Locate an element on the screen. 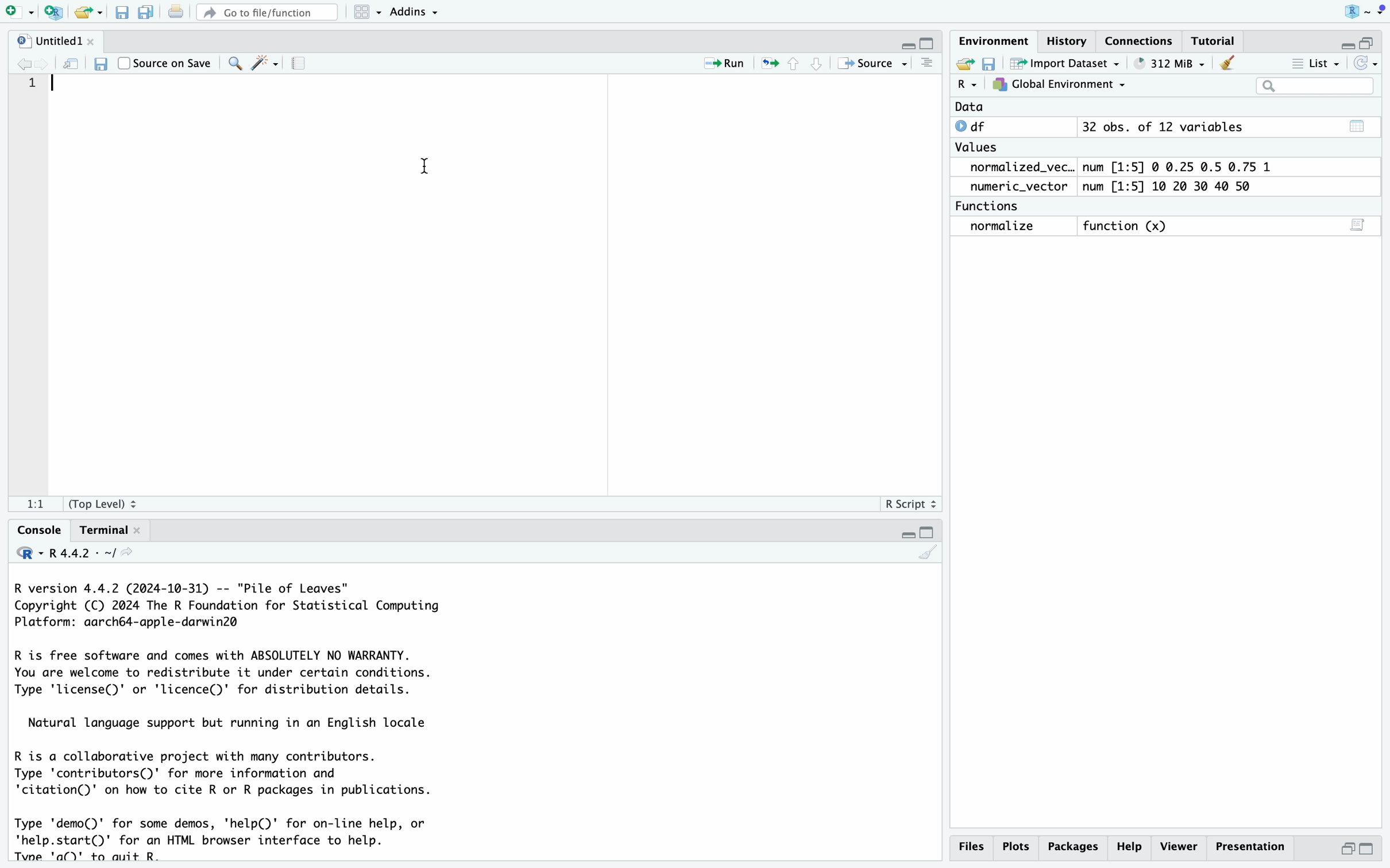 The height and width of the screenshot is (868, 1390). = List  is located at coordinates (1309, 63).